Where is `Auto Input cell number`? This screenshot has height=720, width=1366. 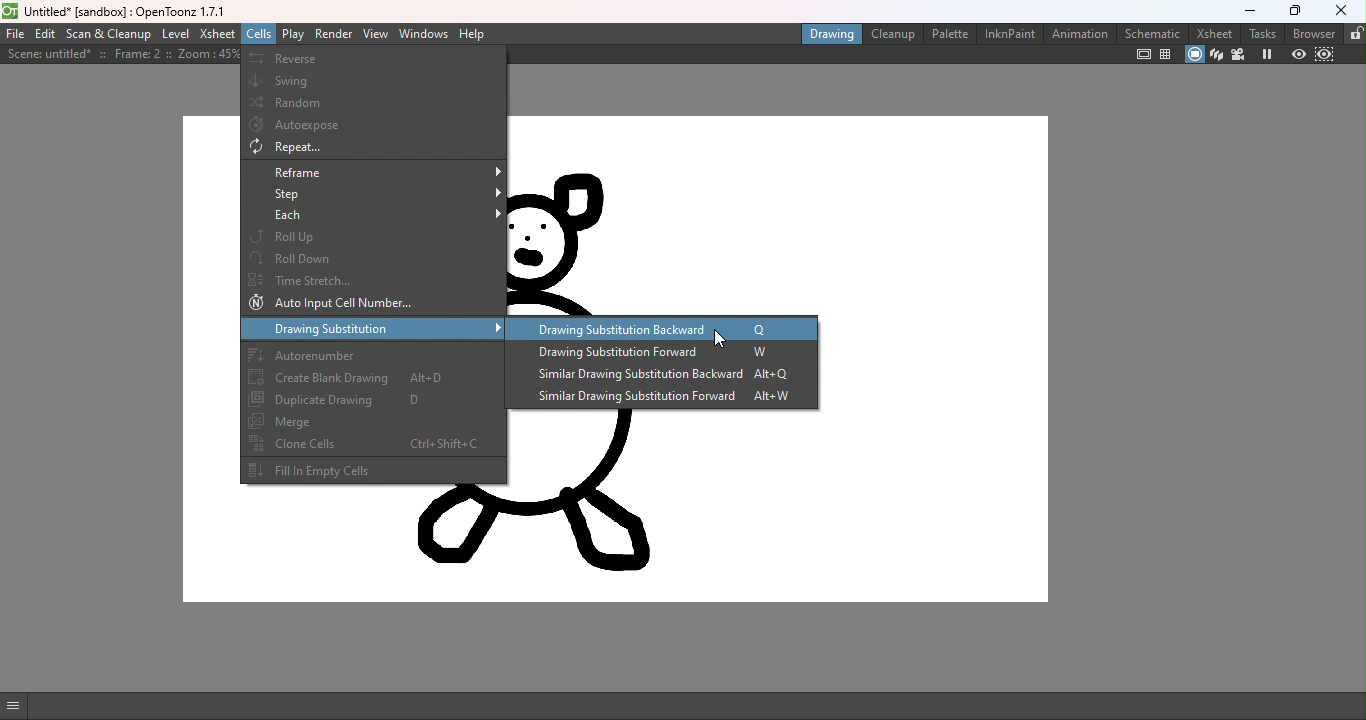
Auto Input cell number is located at coordinates (370, 304).